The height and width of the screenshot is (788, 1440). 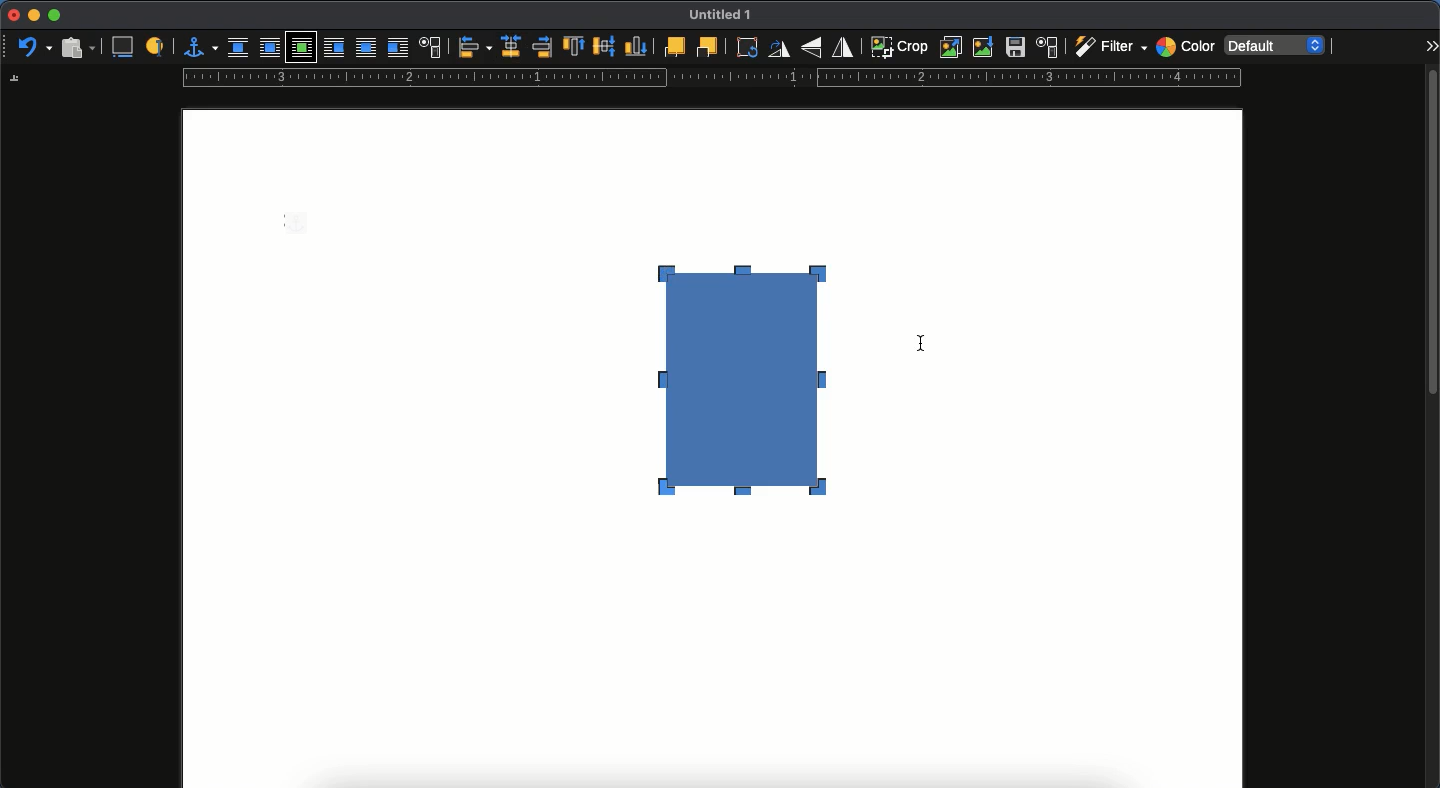 What do you see at coordinates (333, 49) in the screenshot?
I see `before` at bounding box center [333, 49].